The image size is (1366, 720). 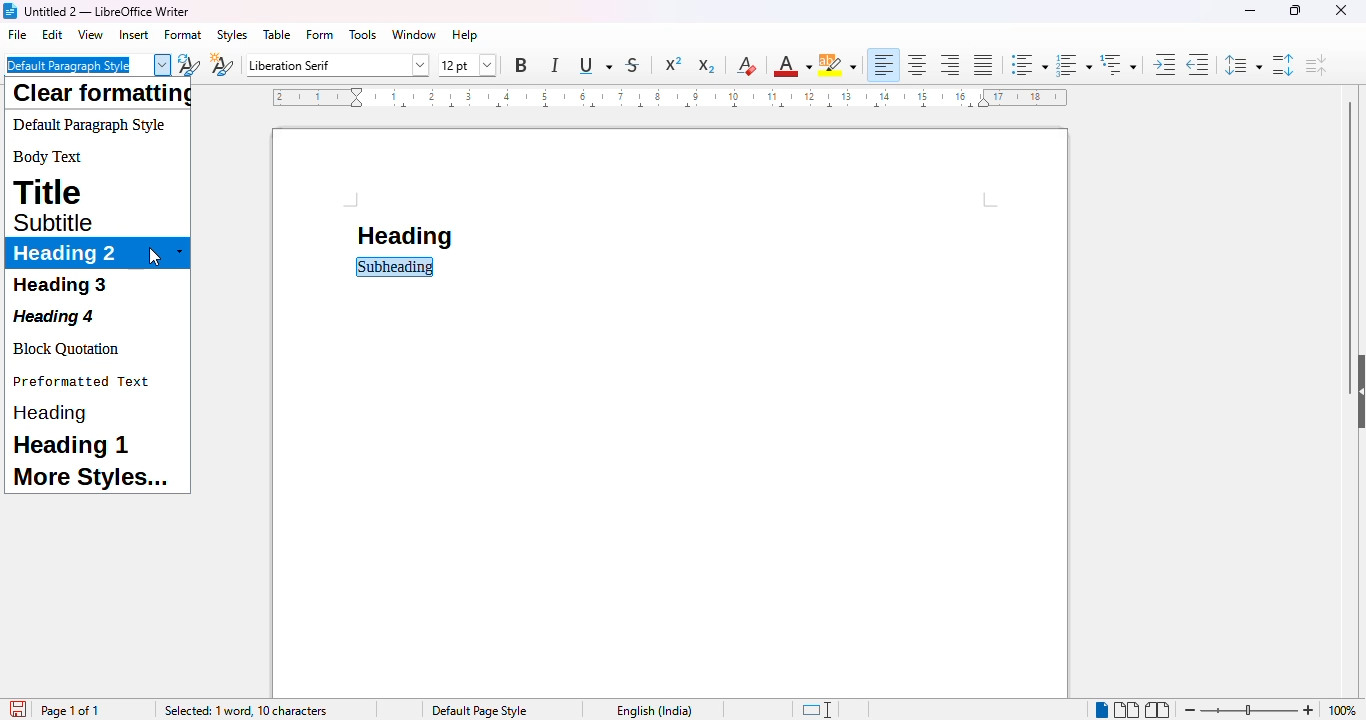 I want to click on show, so click(x=1357, y=391).